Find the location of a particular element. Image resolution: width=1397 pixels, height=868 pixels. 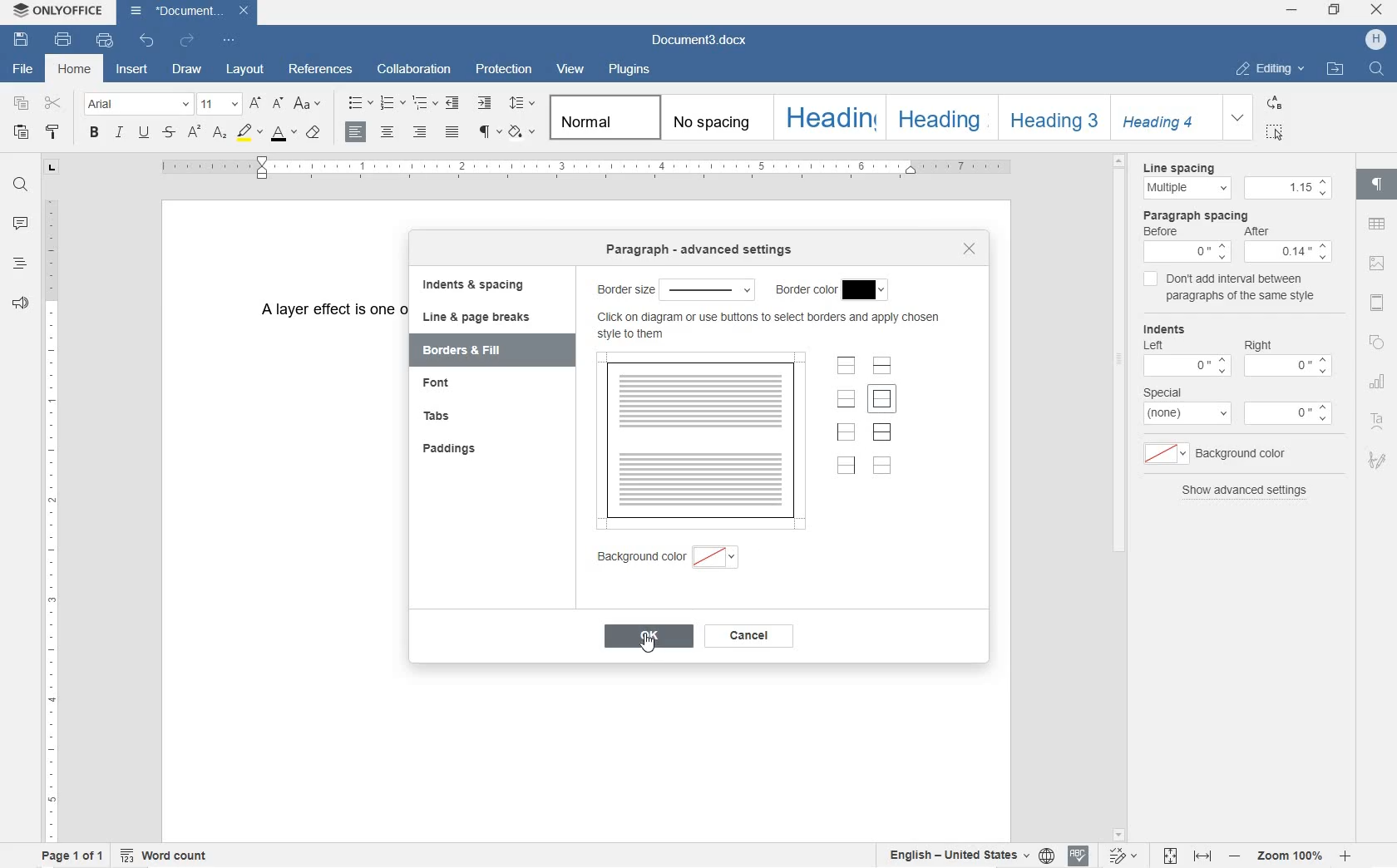

BOLD is located at coordinates (95, 133).